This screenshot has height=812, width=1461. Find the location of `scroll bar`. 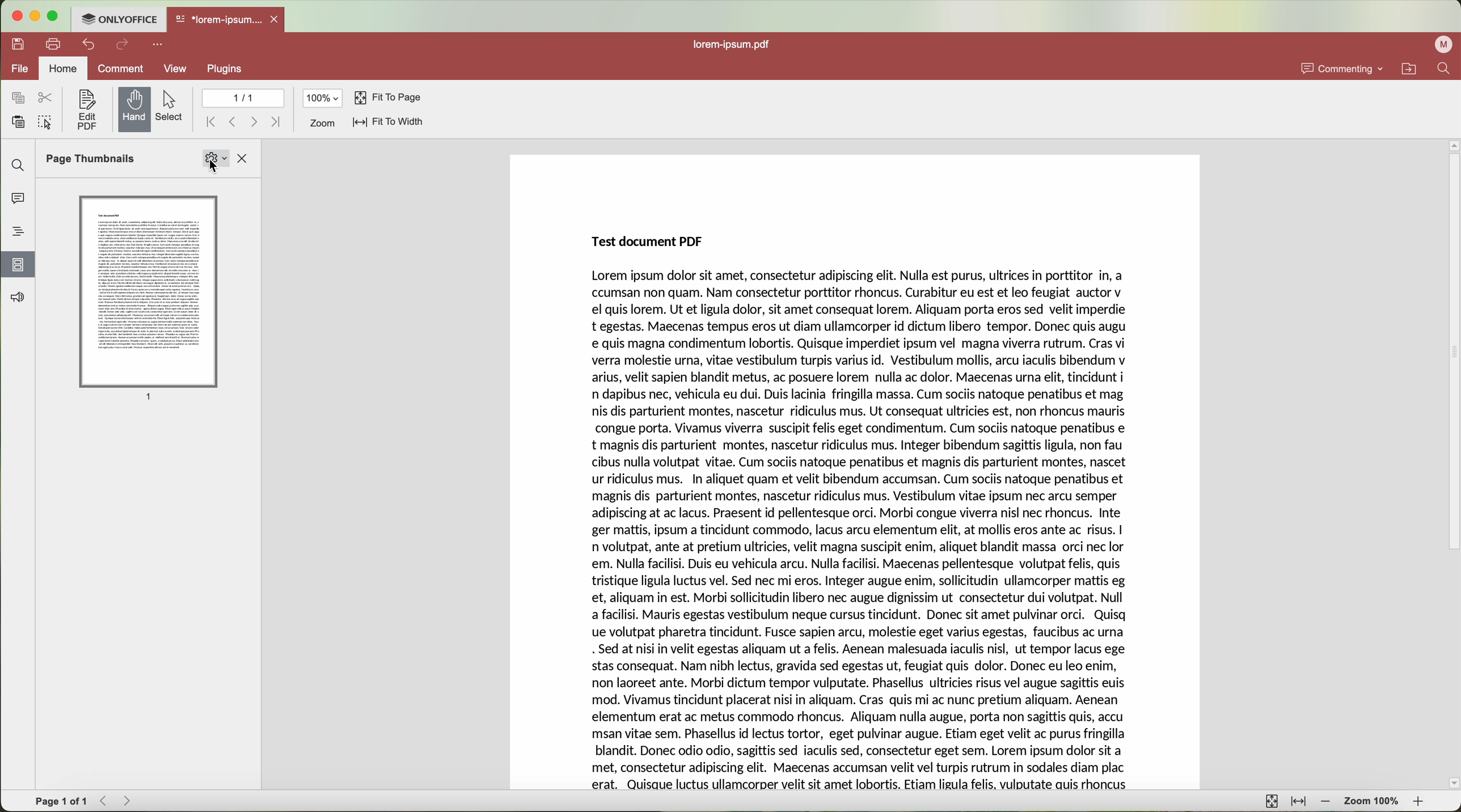

scroll bar is located at coordinates (1452, 463).